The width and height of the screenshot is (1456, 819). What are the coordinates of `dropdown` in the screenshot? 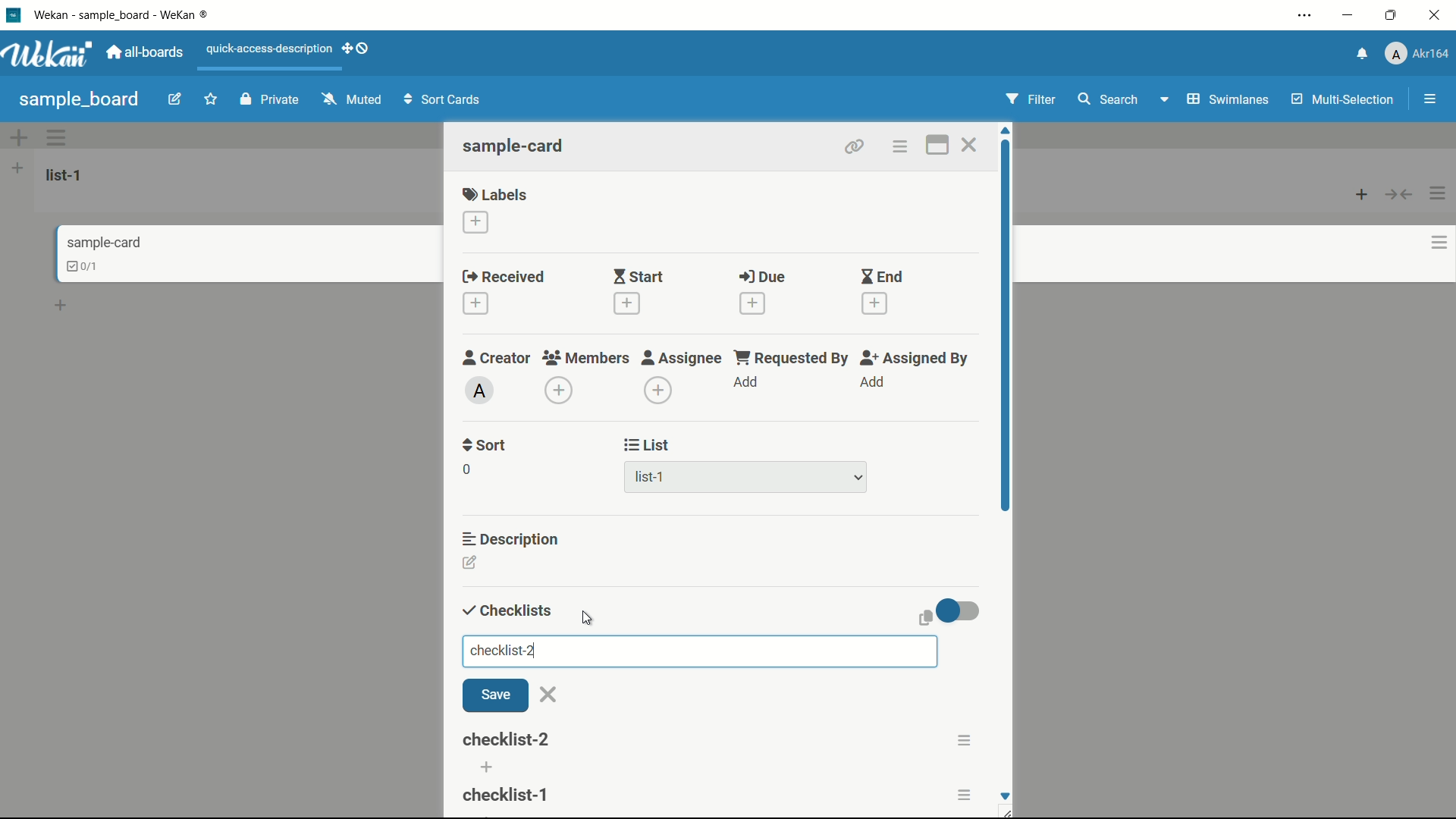 It's located at (1163, 102).